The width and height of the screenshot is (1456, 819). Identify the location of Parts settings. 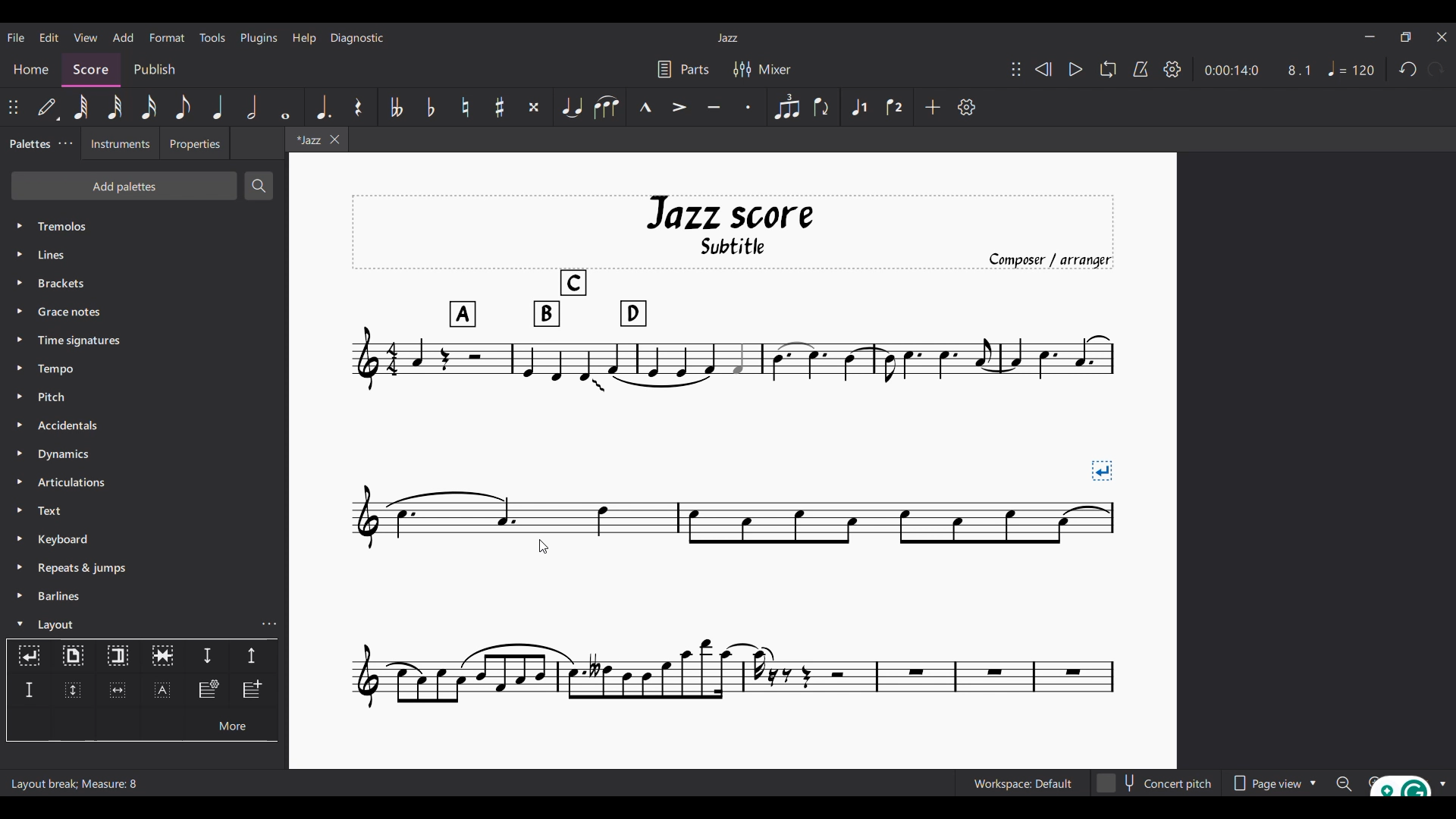
(683, 70).